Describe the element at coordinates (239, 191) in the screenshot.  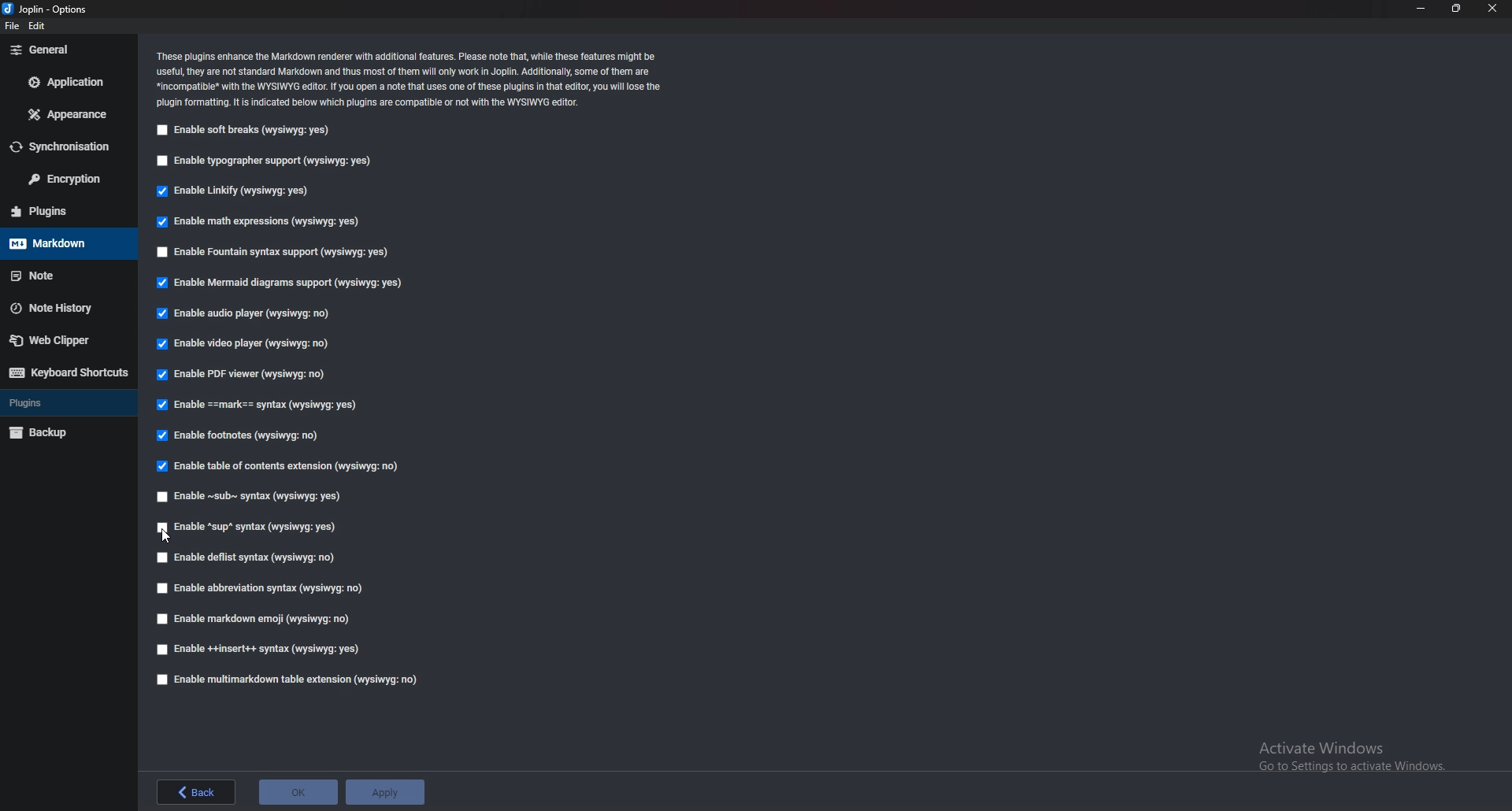
I see `Enable Linkify (wysiwyg: yes)` at that location.